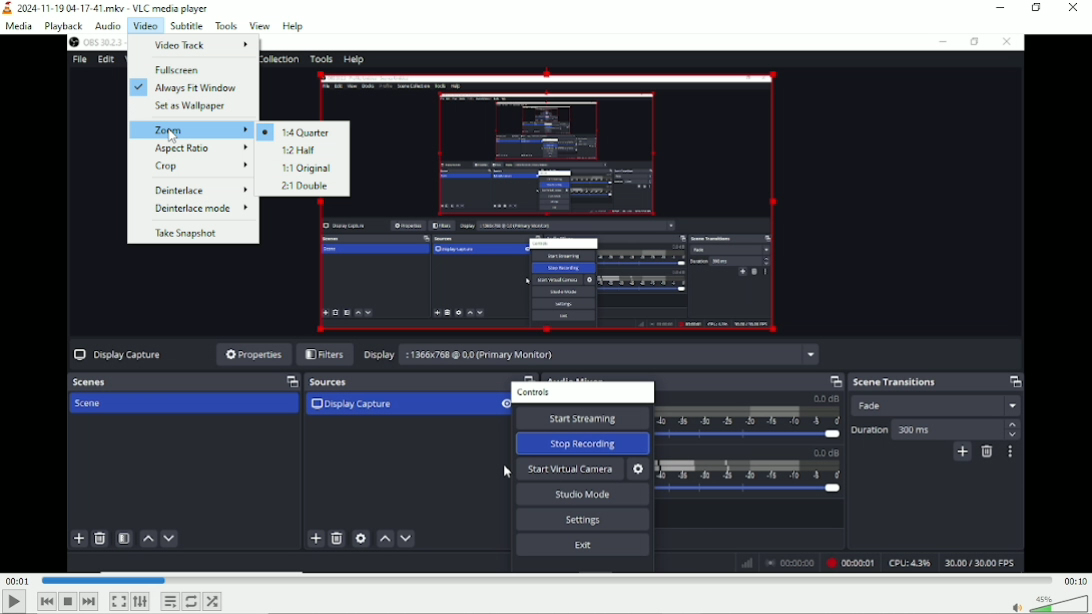 The height and width of the screenshot is (614, 1092). I want to click on half, so click(299, 149).